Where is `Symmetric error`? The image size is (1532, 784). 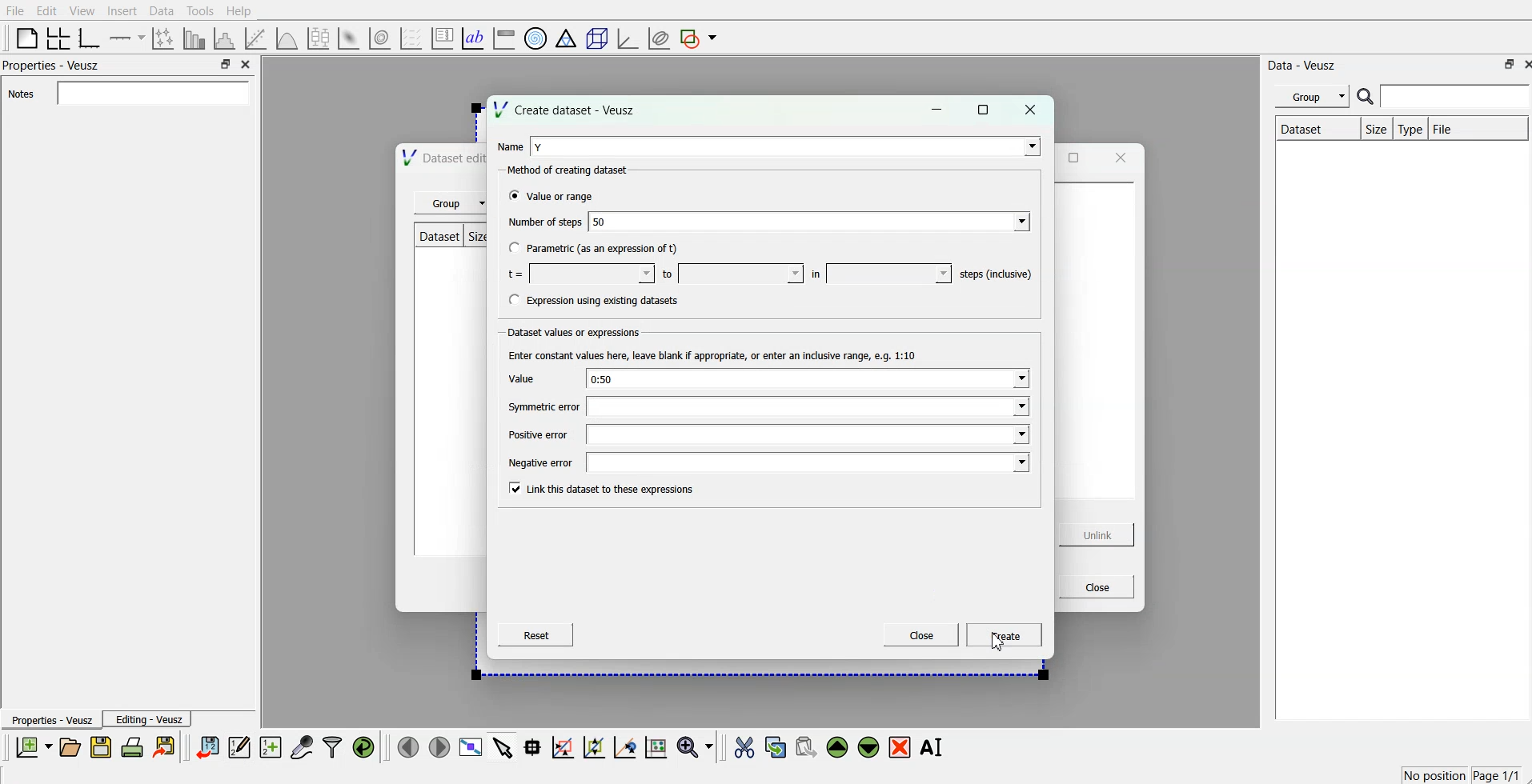 Symmetric error is located at coordinates (542, 409).